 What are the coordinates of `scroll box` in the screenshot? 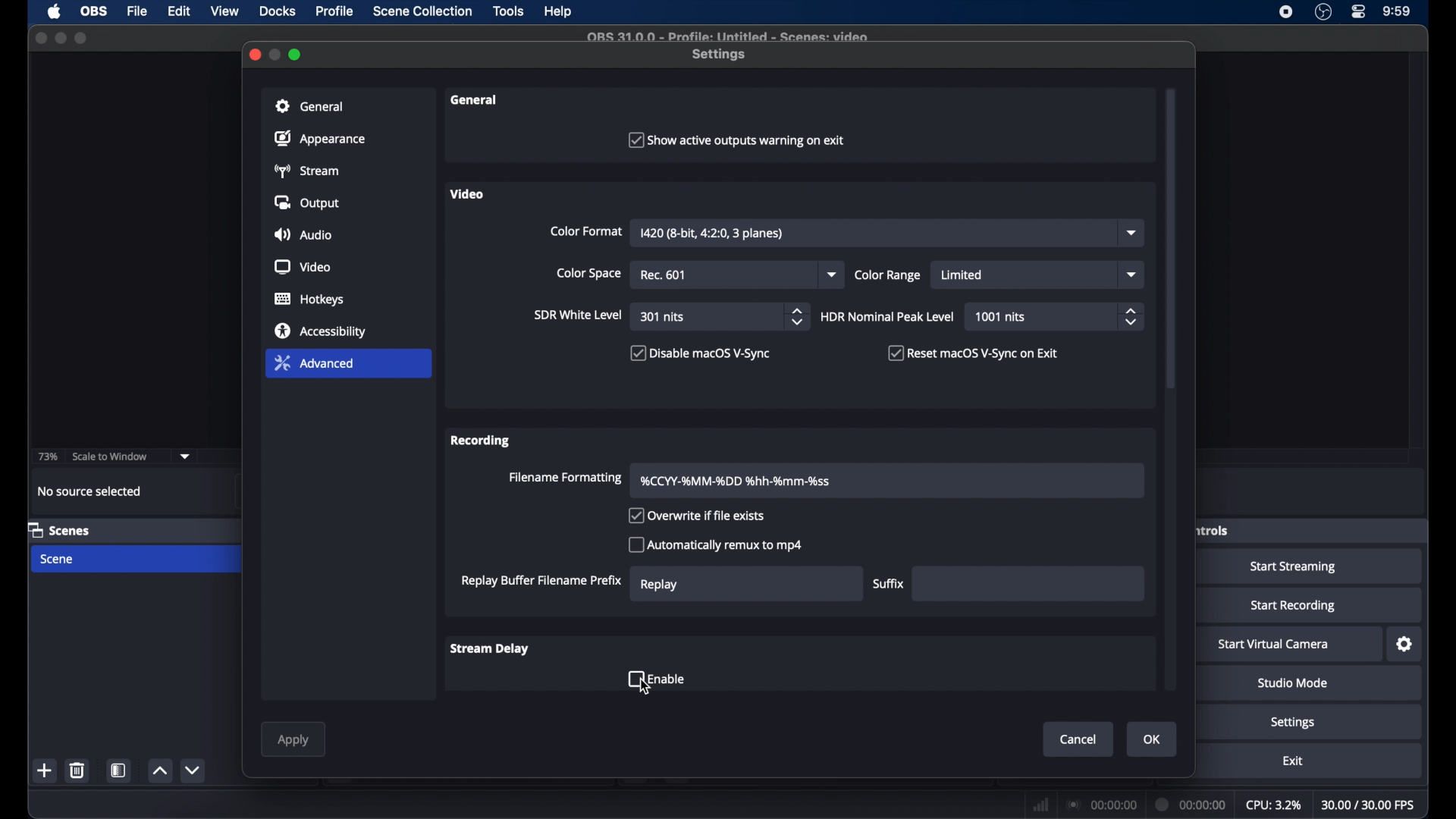 It's located at (1171, 212).